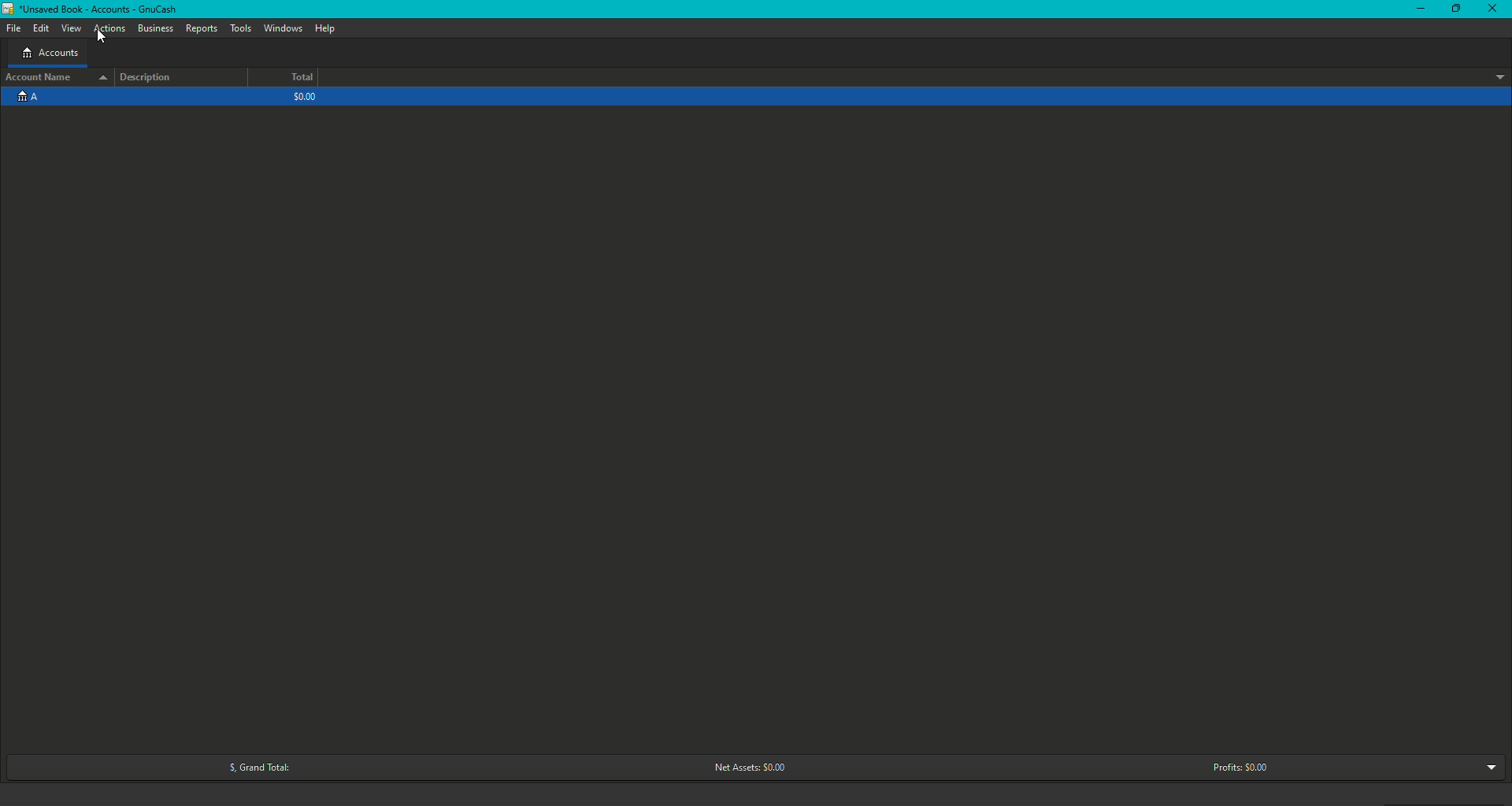  Describe the element at coordinates (1228, 764) in the screenshot. I see `Profits: $0.00` at that location.